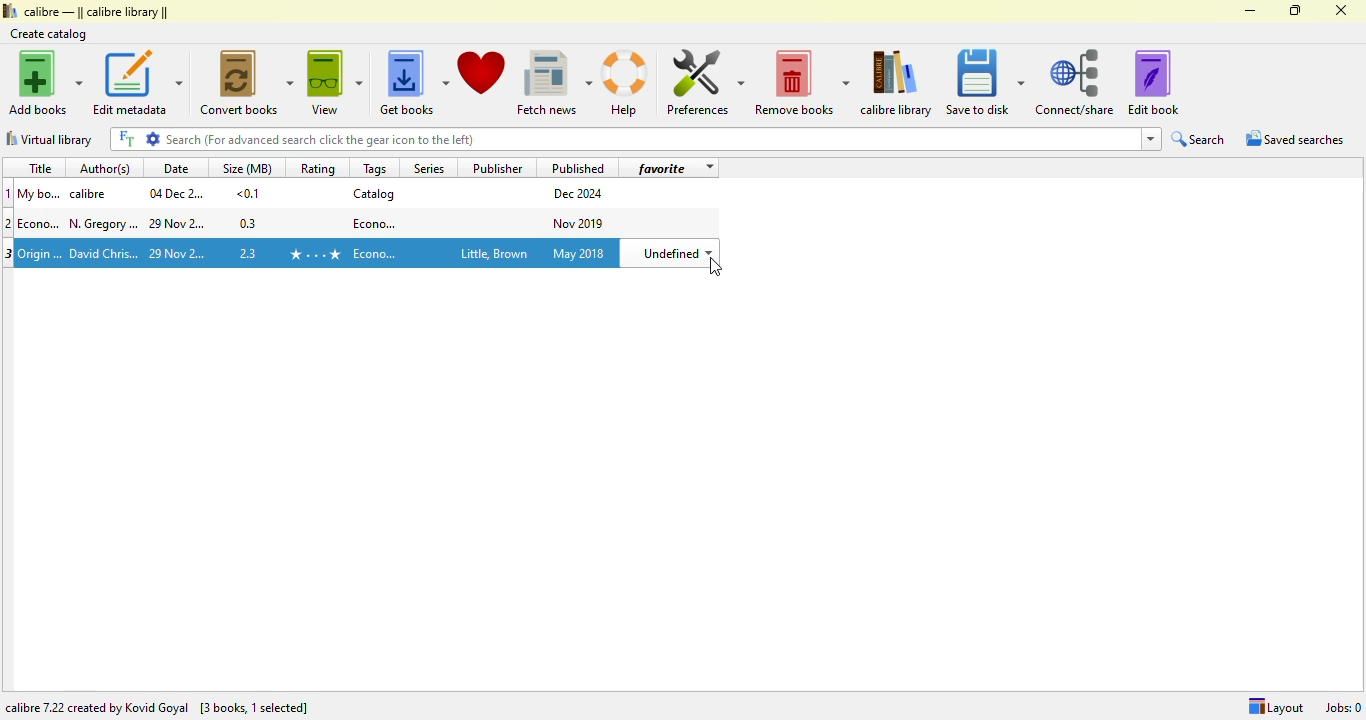 The image size is (1366, 720). What do you see at coordinates (897, 83) in the screenshot?
I see `calibre library` at bounding box center [897, 83].